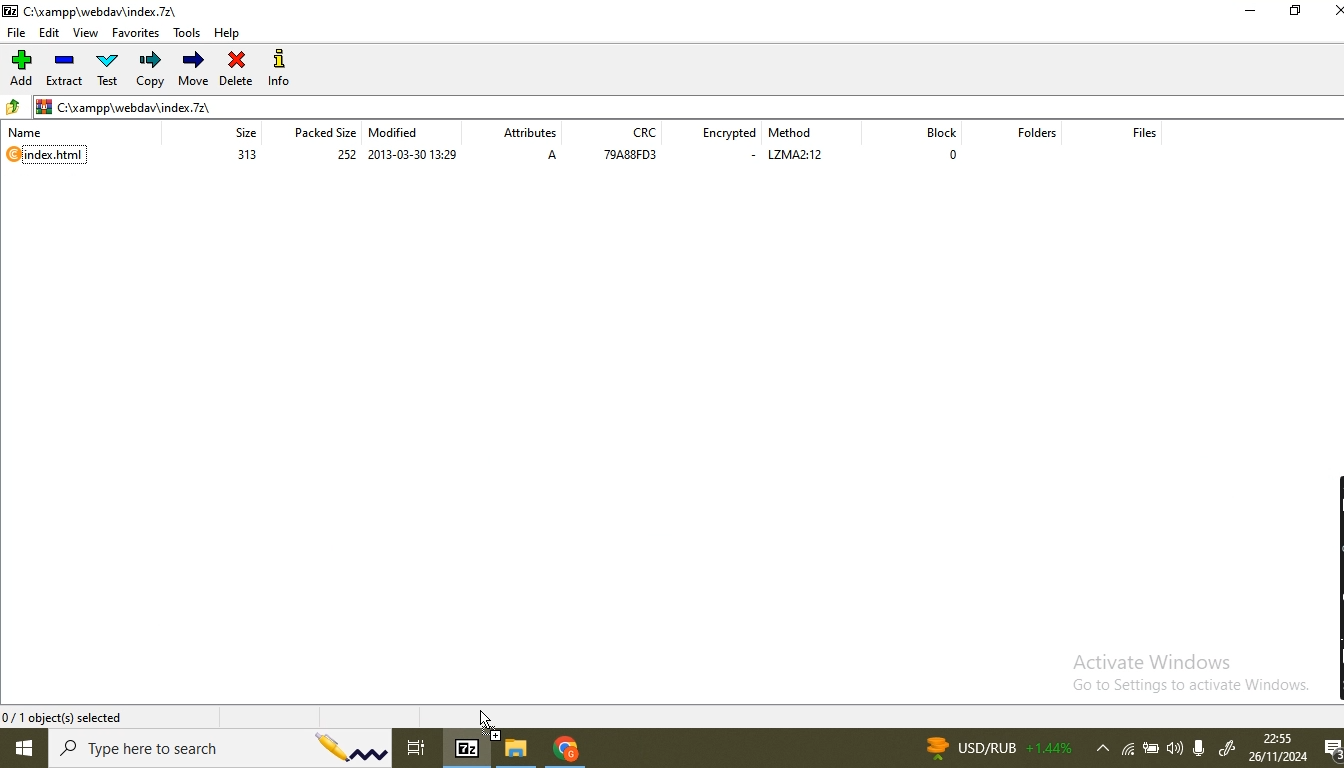  I want to click on wifi, so click(1129, 751).